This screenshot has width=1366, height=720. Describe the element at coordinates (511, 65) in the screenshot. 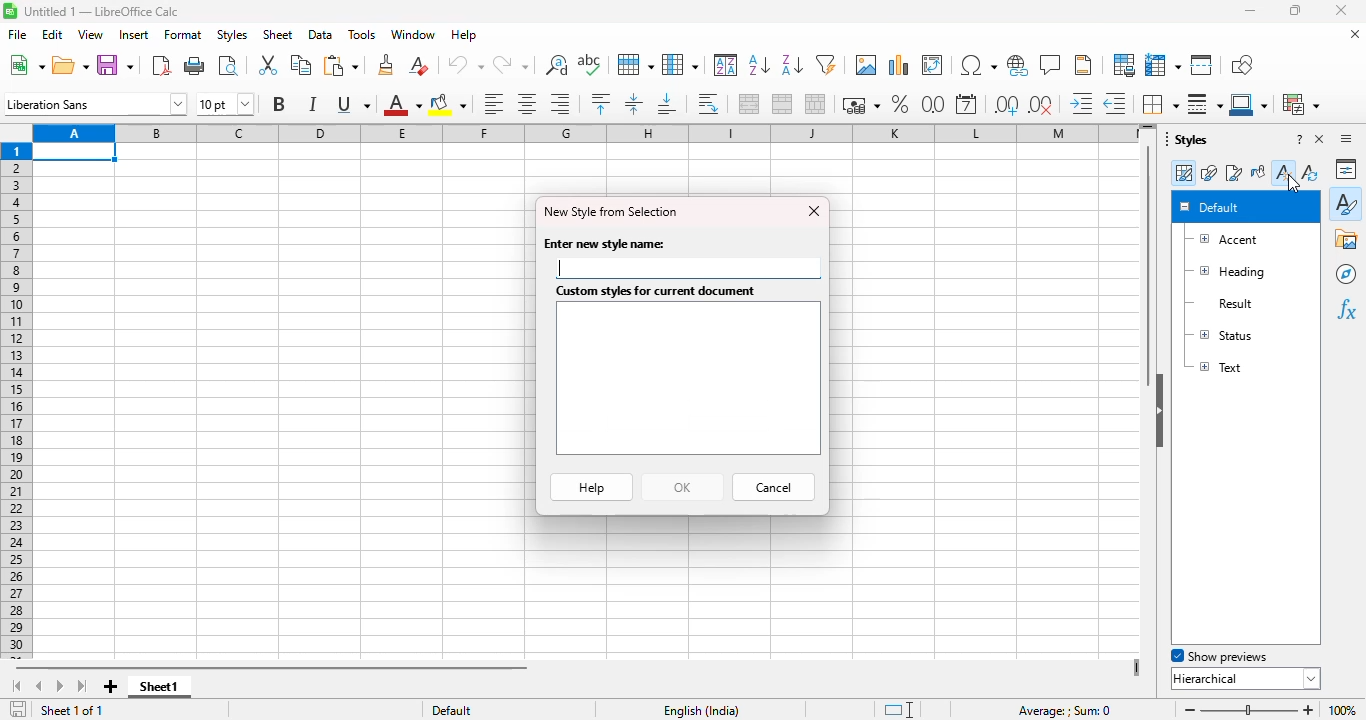

I see `redo` at that location.